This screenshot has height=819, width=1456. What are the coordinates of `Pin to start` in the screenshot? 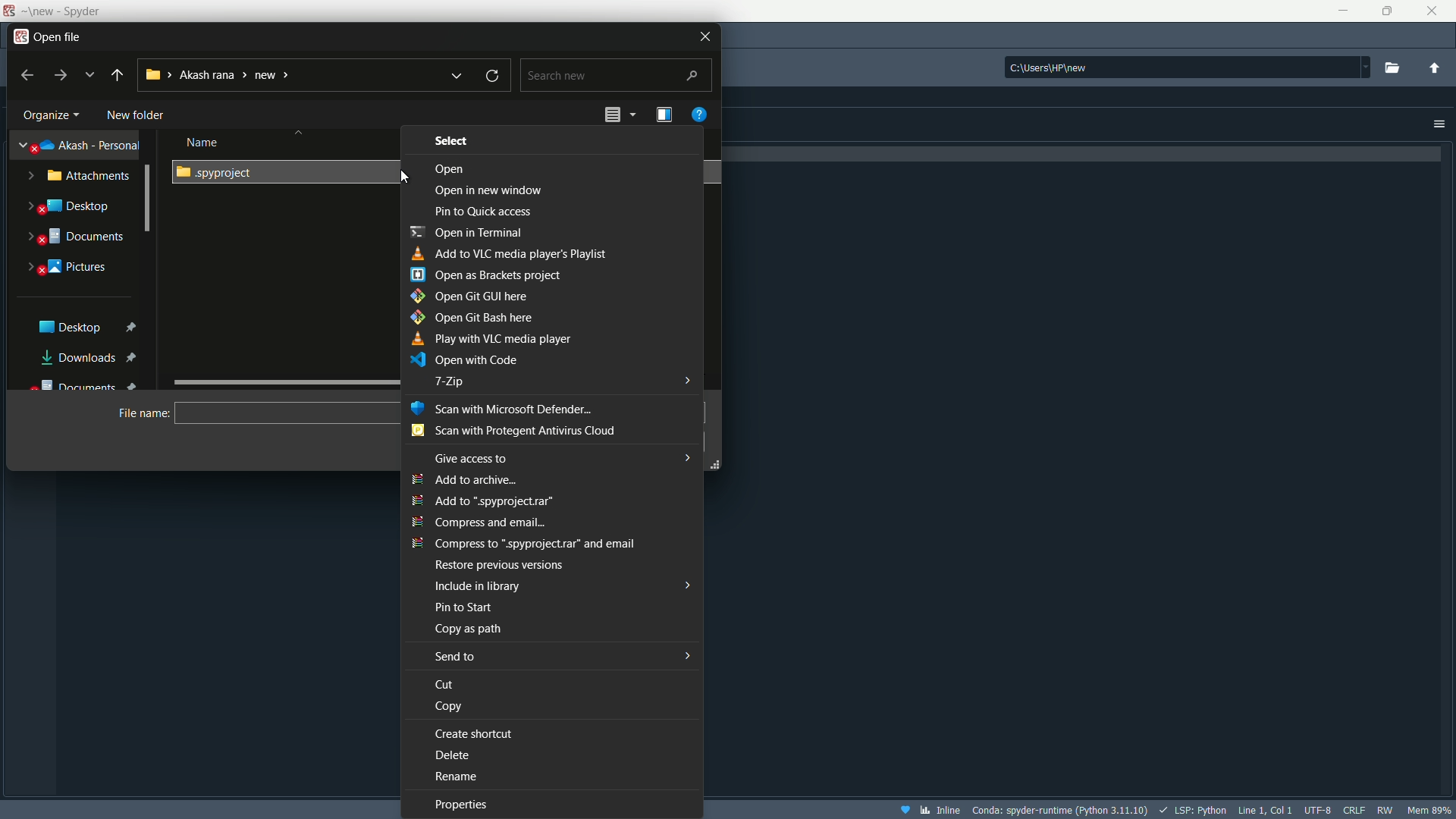 It's located at (467, 607).